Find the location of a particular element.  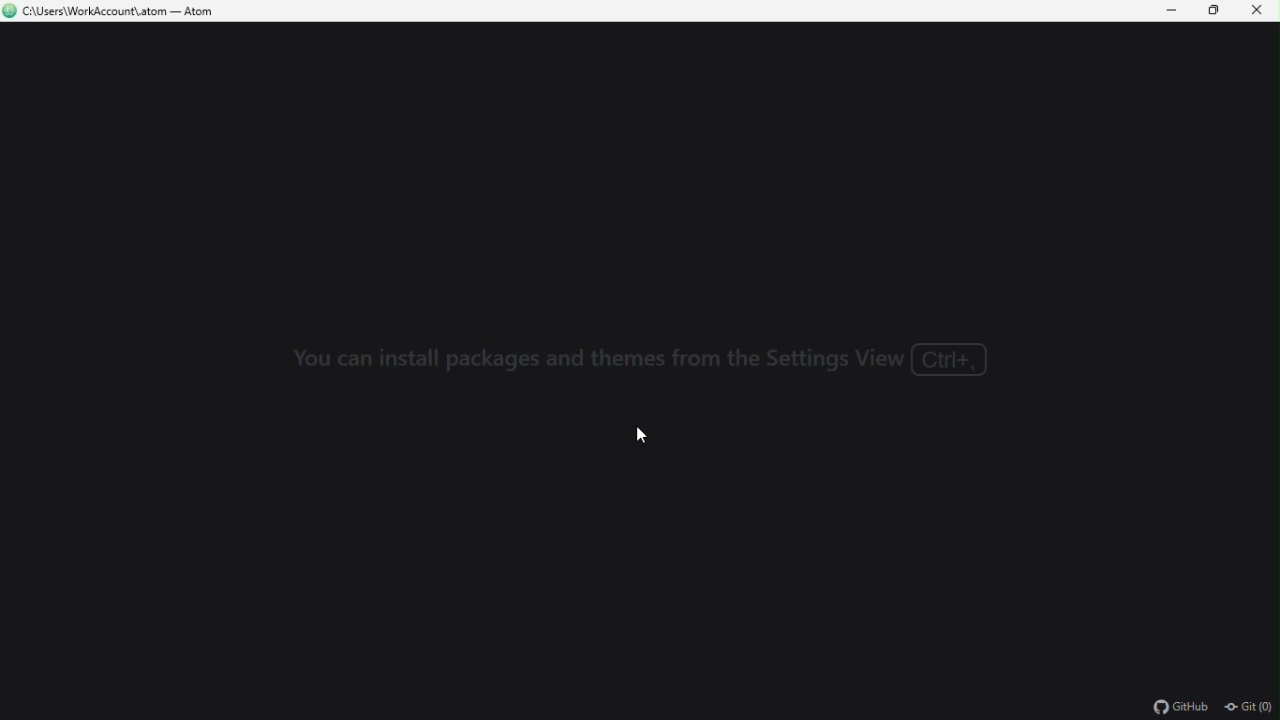

file name and file path  is located at coordinates (122, 10).